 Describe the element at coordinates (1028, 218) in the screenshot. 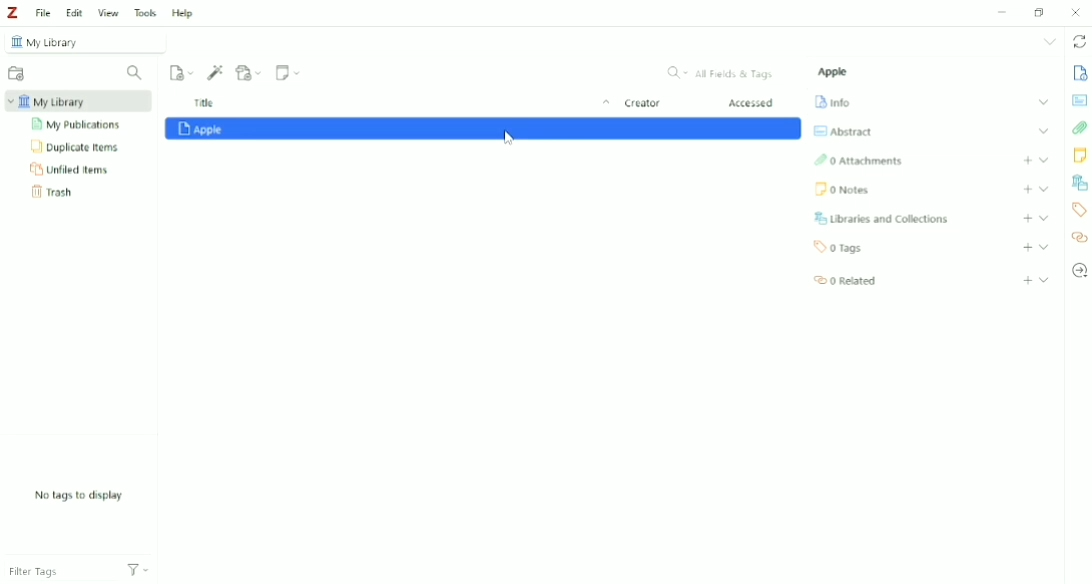

I see `Add` at that location.